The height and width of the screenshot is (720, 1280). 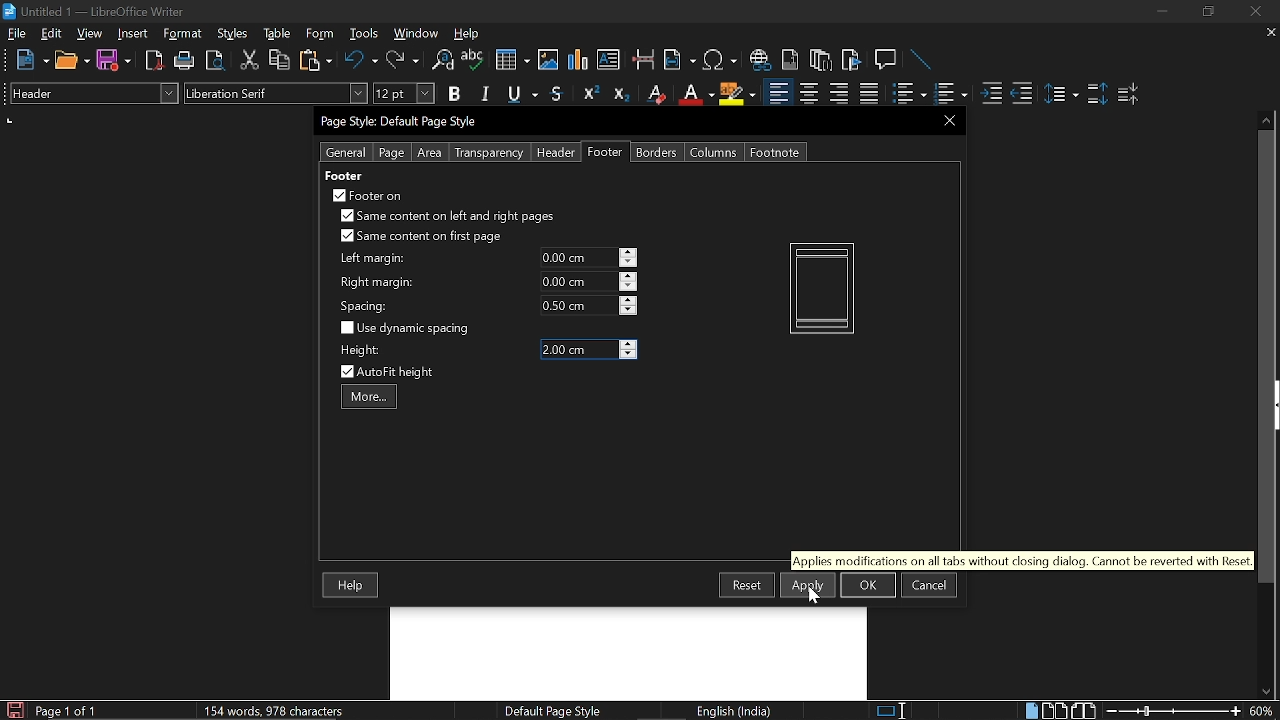 What do you see at coordinates (578, 350) in the screenshot?
I see `Height` at bounding box center [578, 350].